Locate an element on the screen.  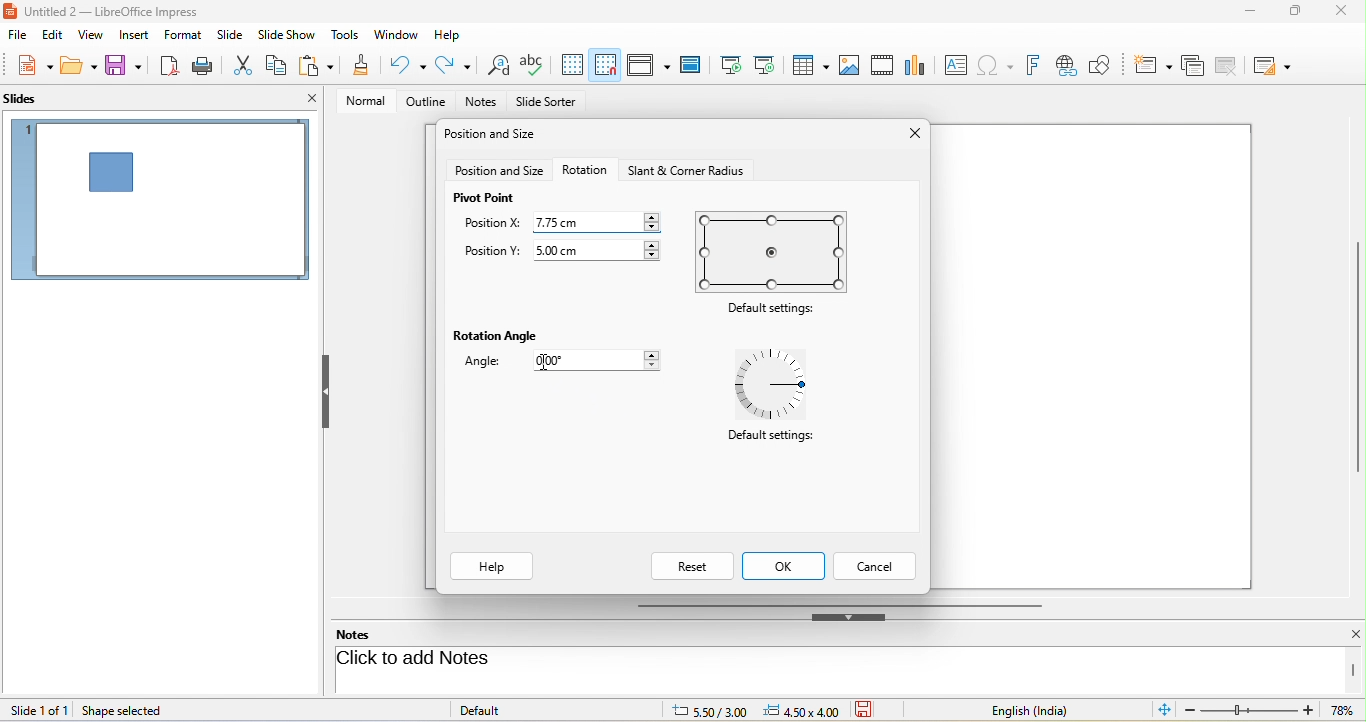
paste is located at coordinates (319, 67).